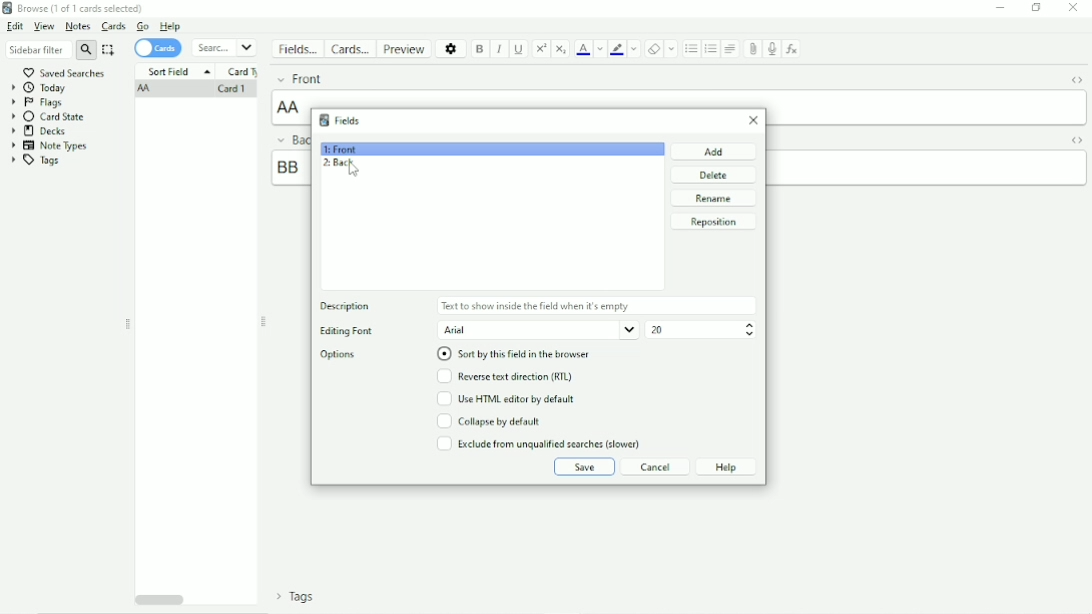  What do you see at coordinates (672, 48) in the screenshot?
I see `Select formatting to remove` at bounding box center [672, 48].